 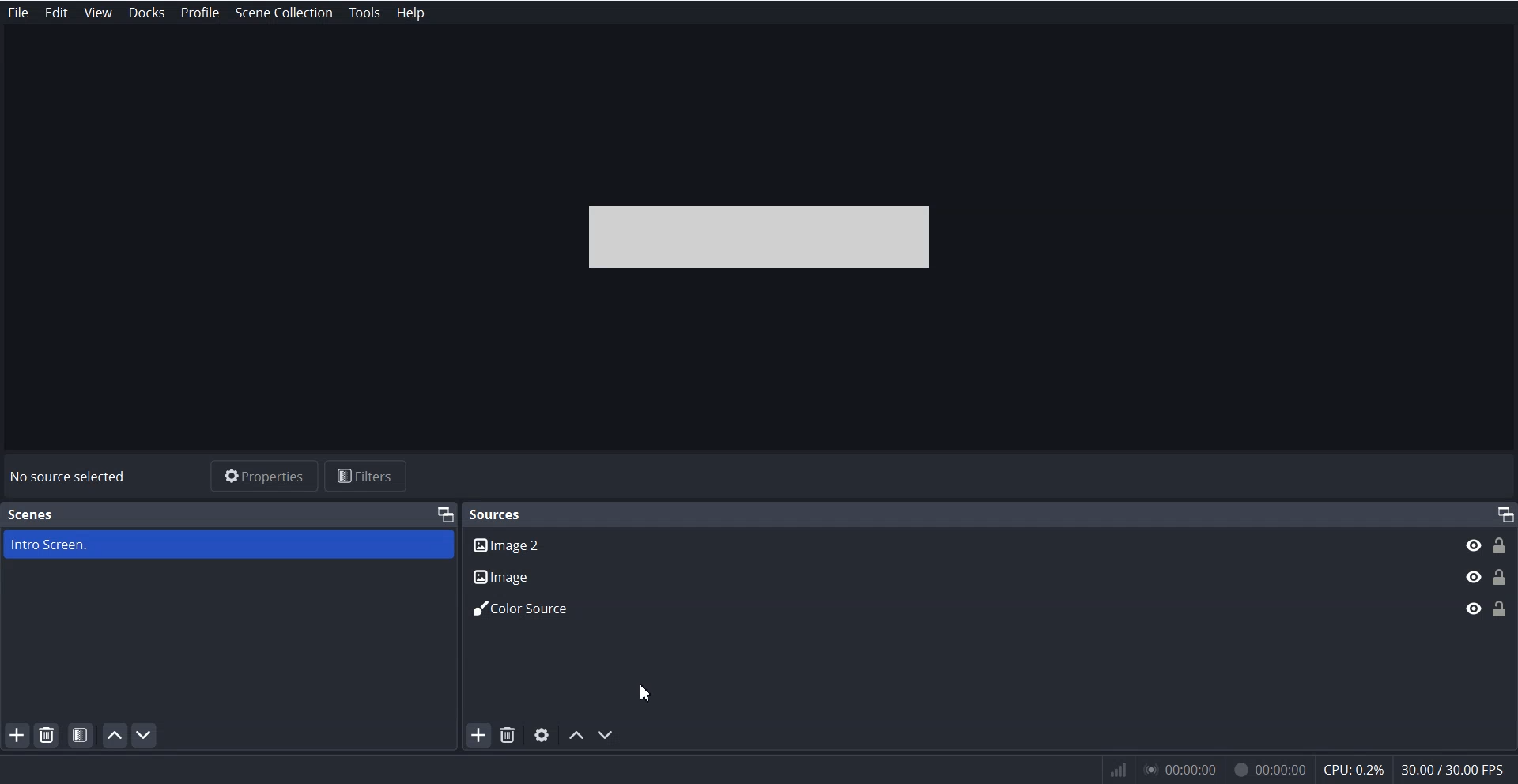 I want to click on Remove Selected Scene, so click(x=48, y=735).